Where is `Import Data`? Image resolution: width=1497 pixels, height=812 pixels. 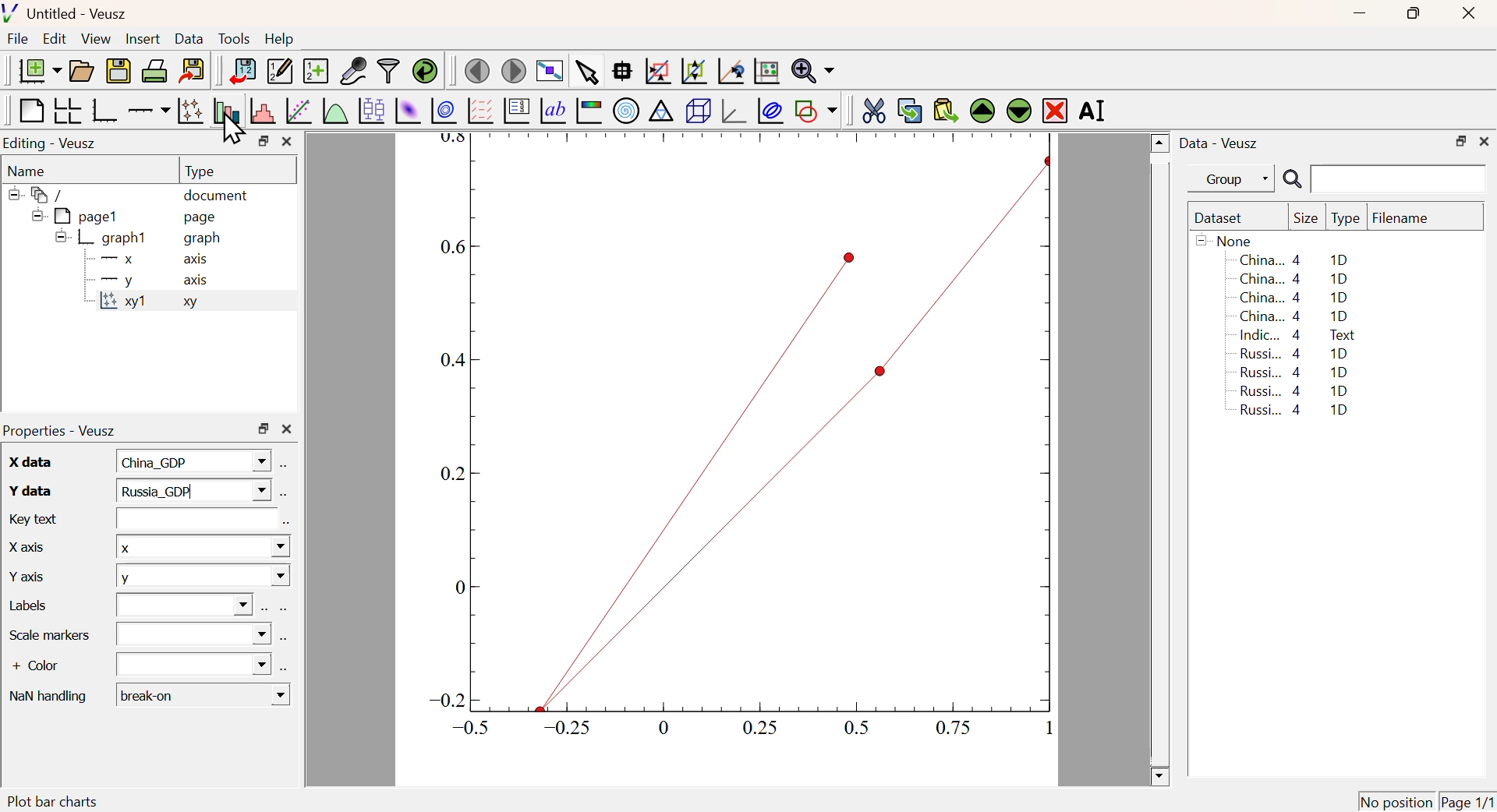
Import Data is located at coordinates (242, 71).